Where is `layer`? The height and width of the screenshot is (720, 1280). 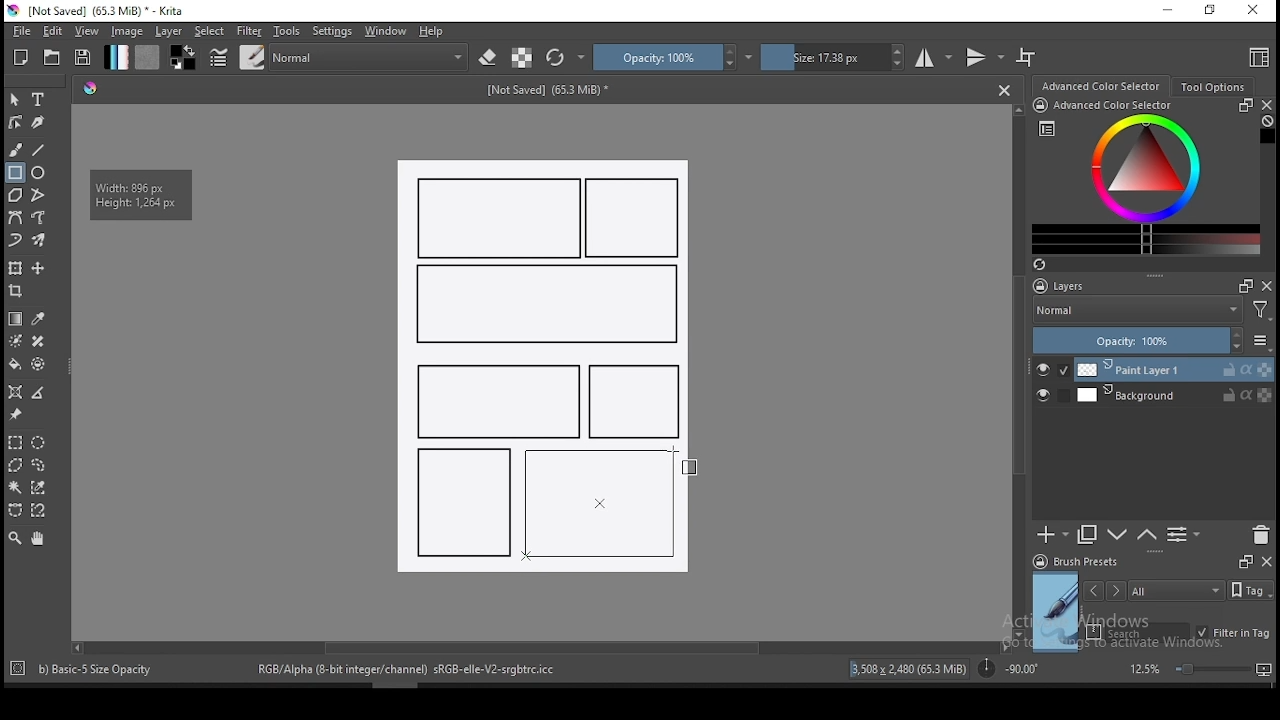 layer is located at coordinates (1175, 370).